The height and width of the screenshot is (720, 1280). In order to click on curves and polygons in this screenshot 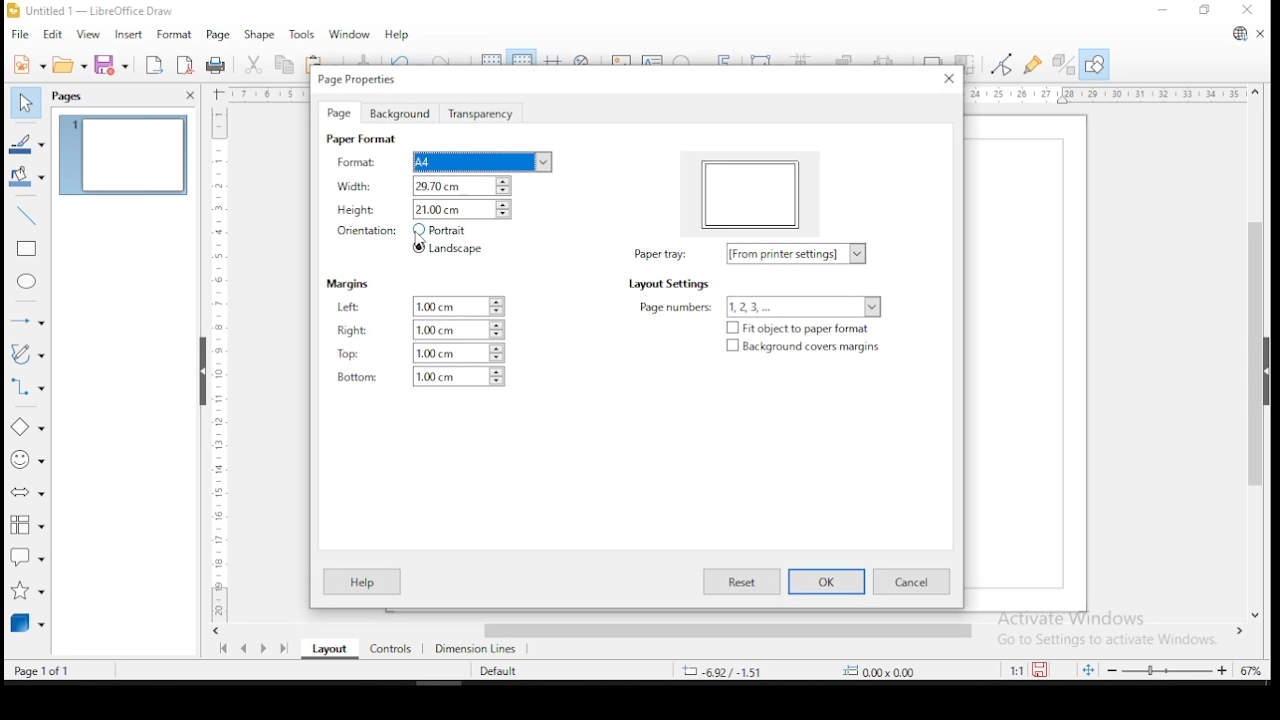, I will do `click(27, 355)`.